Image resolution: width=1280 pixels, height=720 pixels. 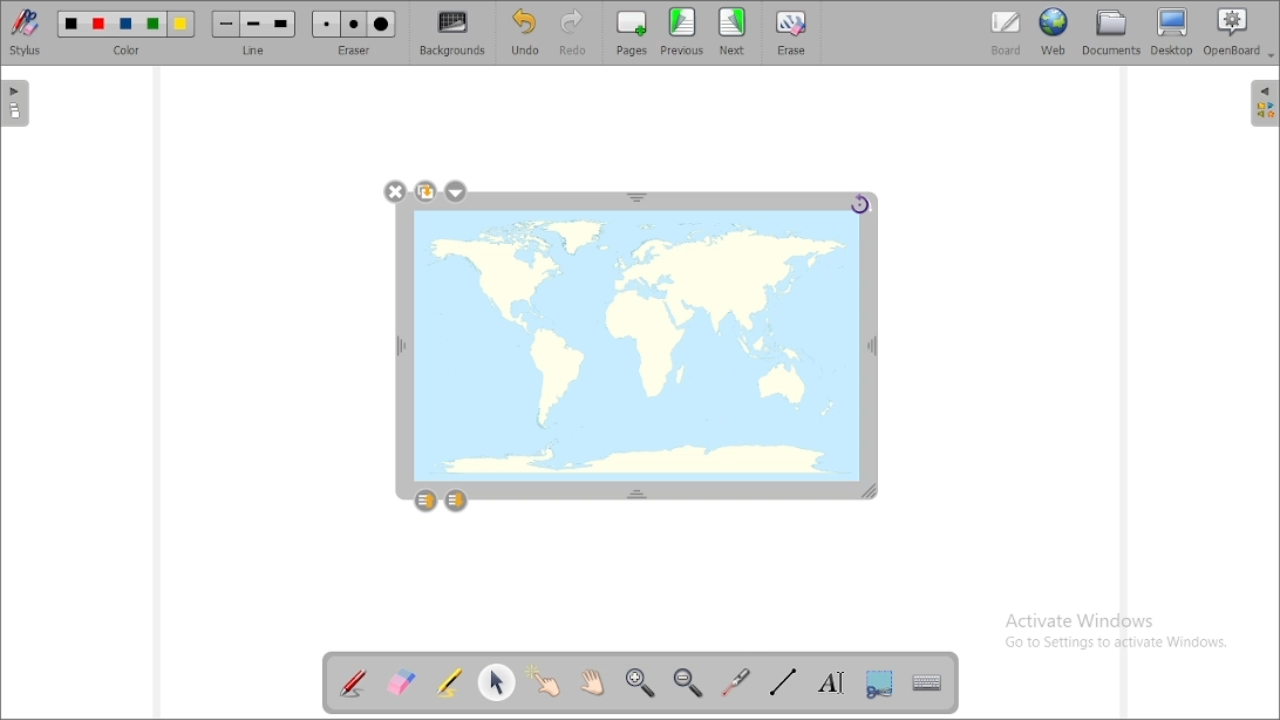 What do you see at coordinates (400, 683) in the screenshot?
I see `erase annotation` at bounding box center [400, 683].